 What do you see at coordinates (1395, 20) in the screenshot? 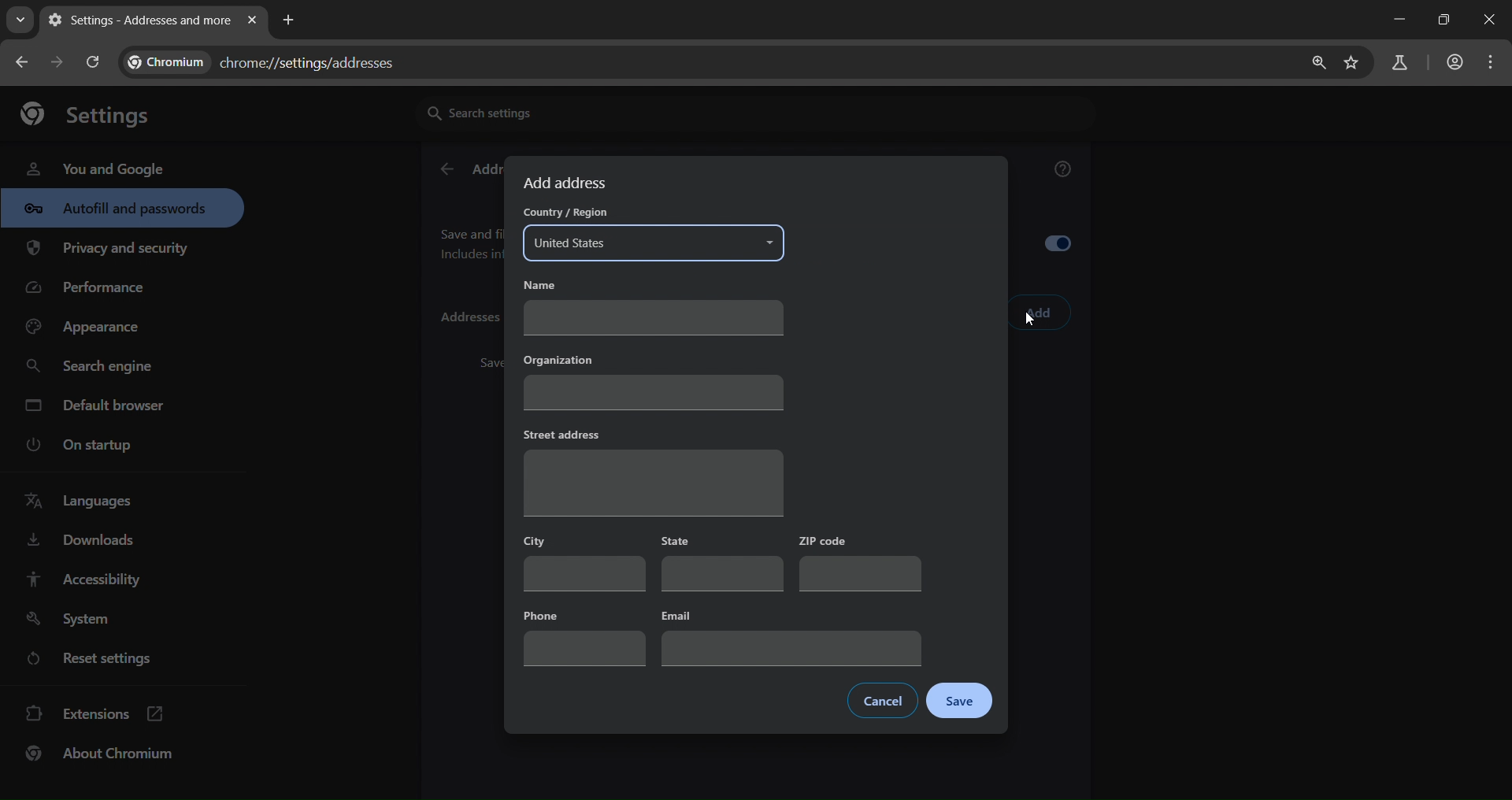
I see `minimize` at bounding box center [1395, 20].